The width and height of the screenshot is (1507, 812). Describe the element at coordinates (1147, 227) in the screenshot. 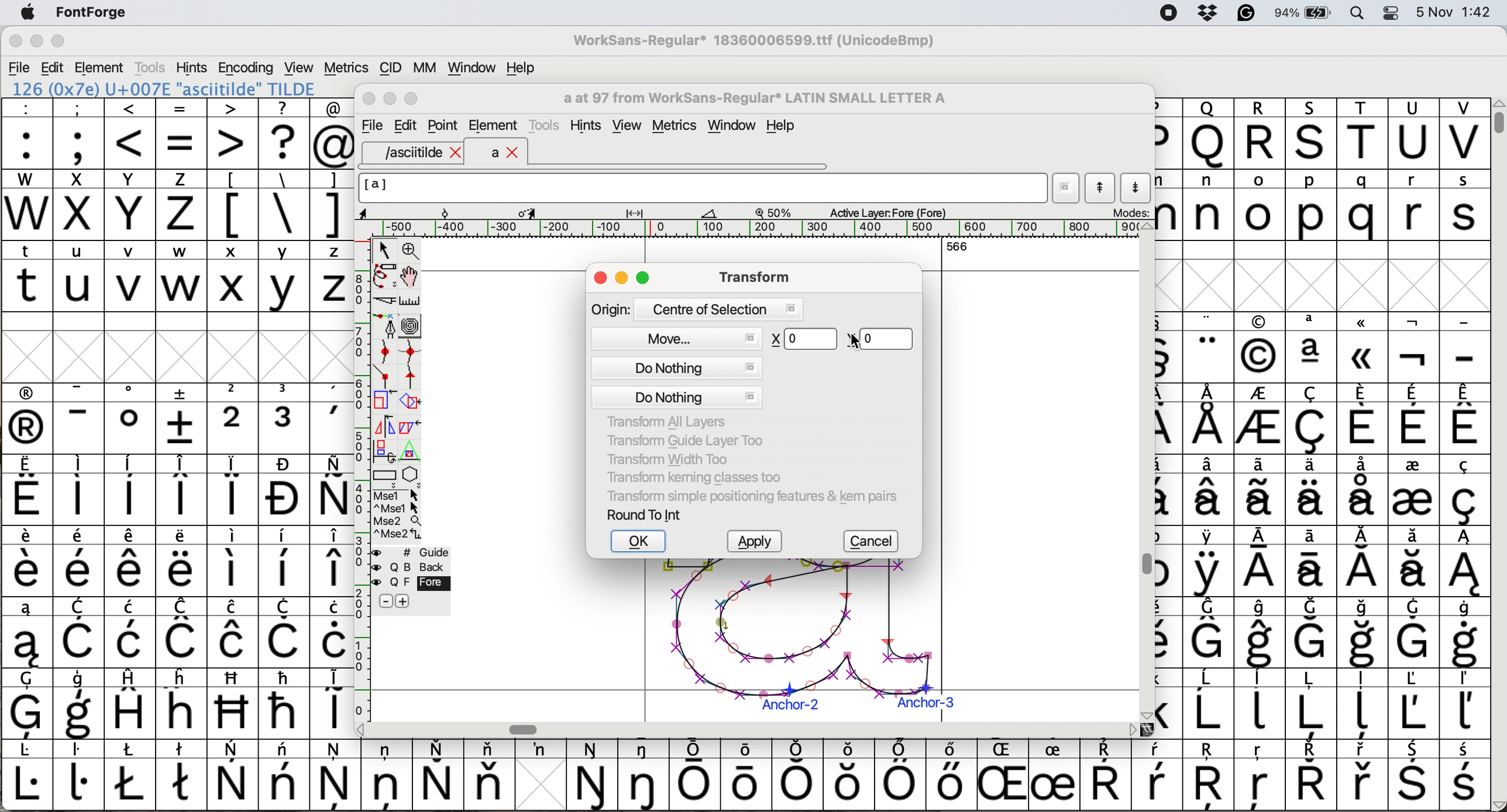

I see `scroll button` at that location.